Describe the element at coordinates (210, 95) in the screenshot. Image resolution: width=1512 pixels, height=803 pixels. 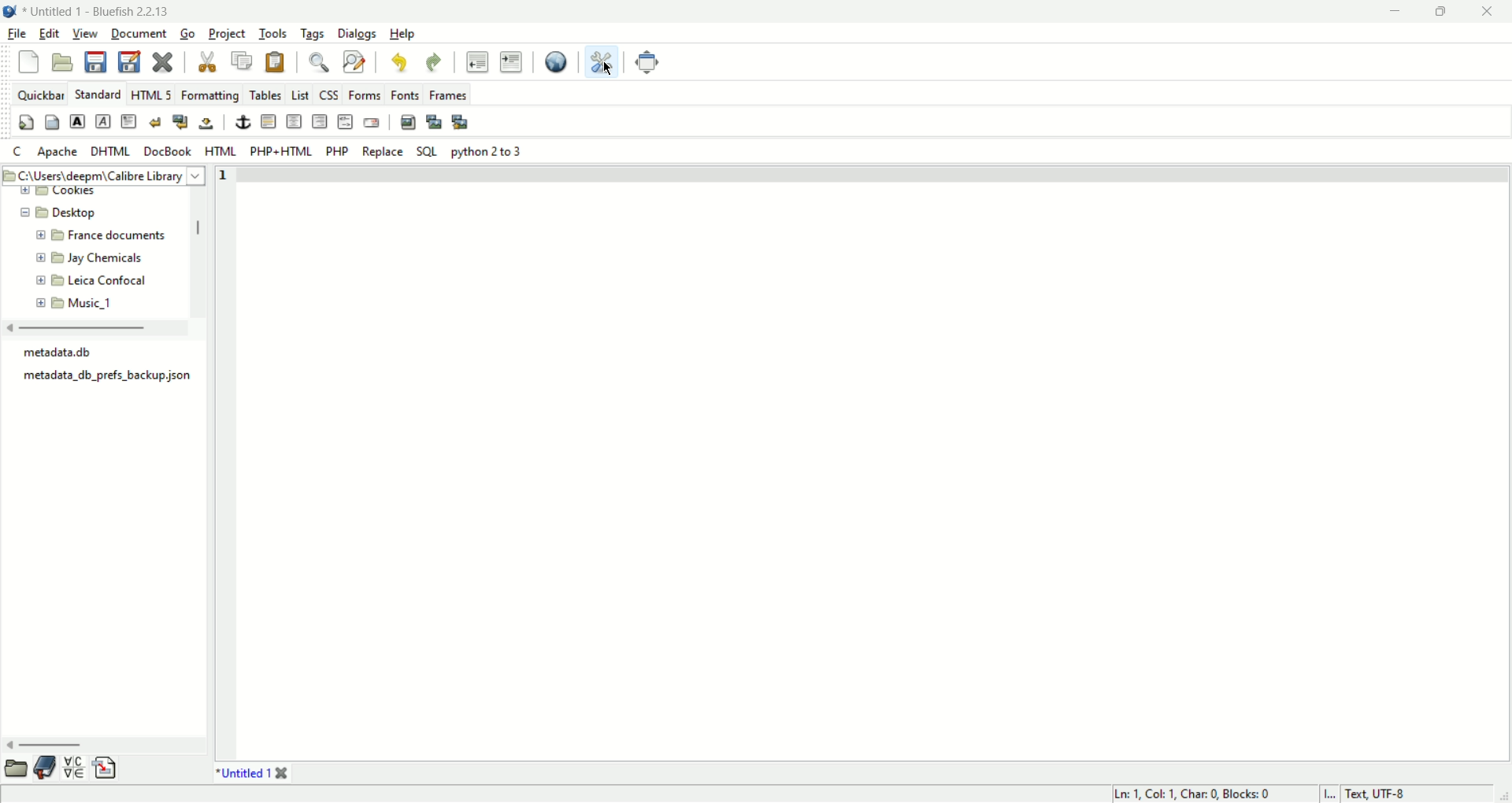
I see `Formatting` at that location.